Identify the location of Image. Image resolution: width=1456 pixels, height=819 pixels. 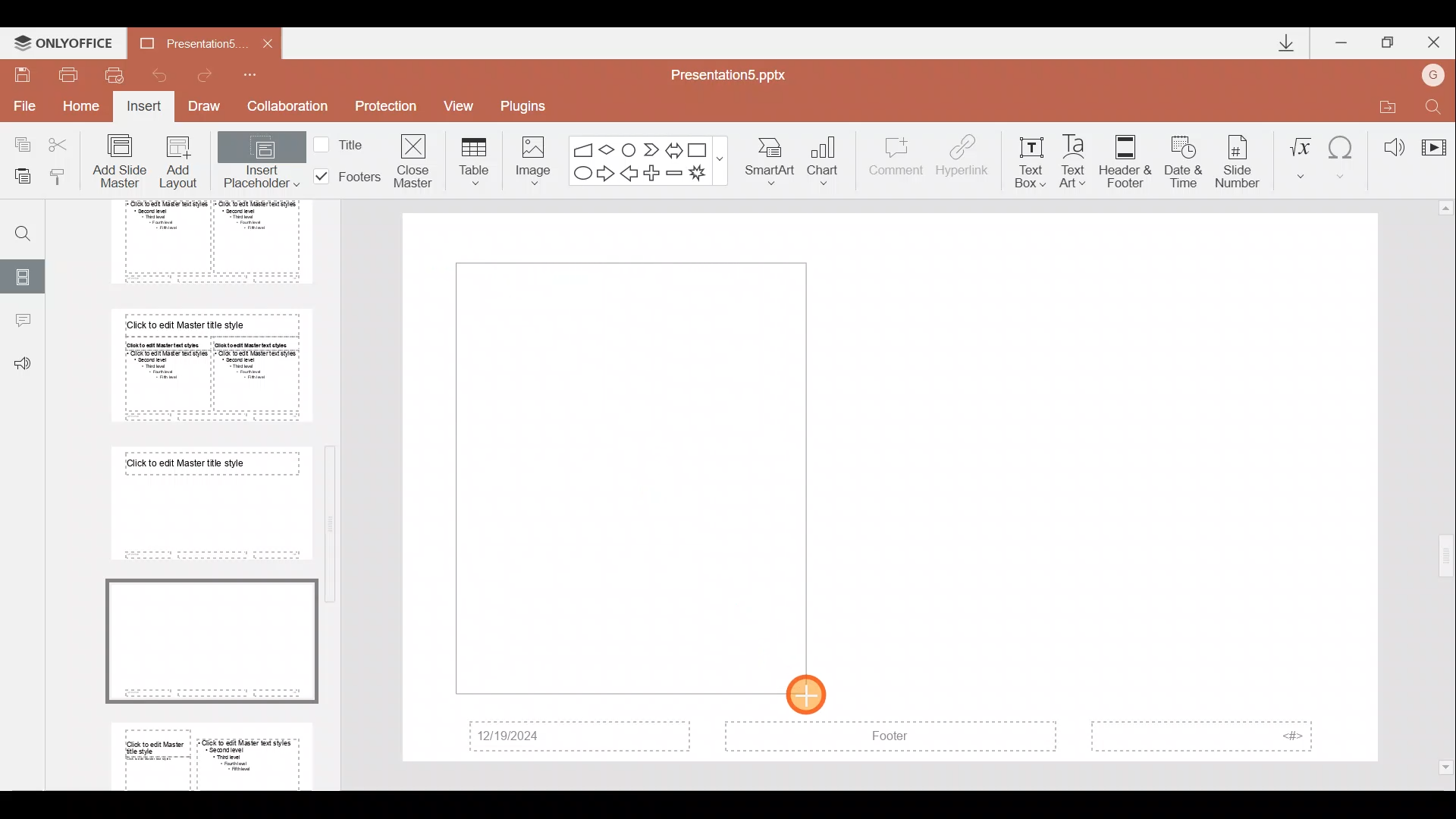
(529, 158).